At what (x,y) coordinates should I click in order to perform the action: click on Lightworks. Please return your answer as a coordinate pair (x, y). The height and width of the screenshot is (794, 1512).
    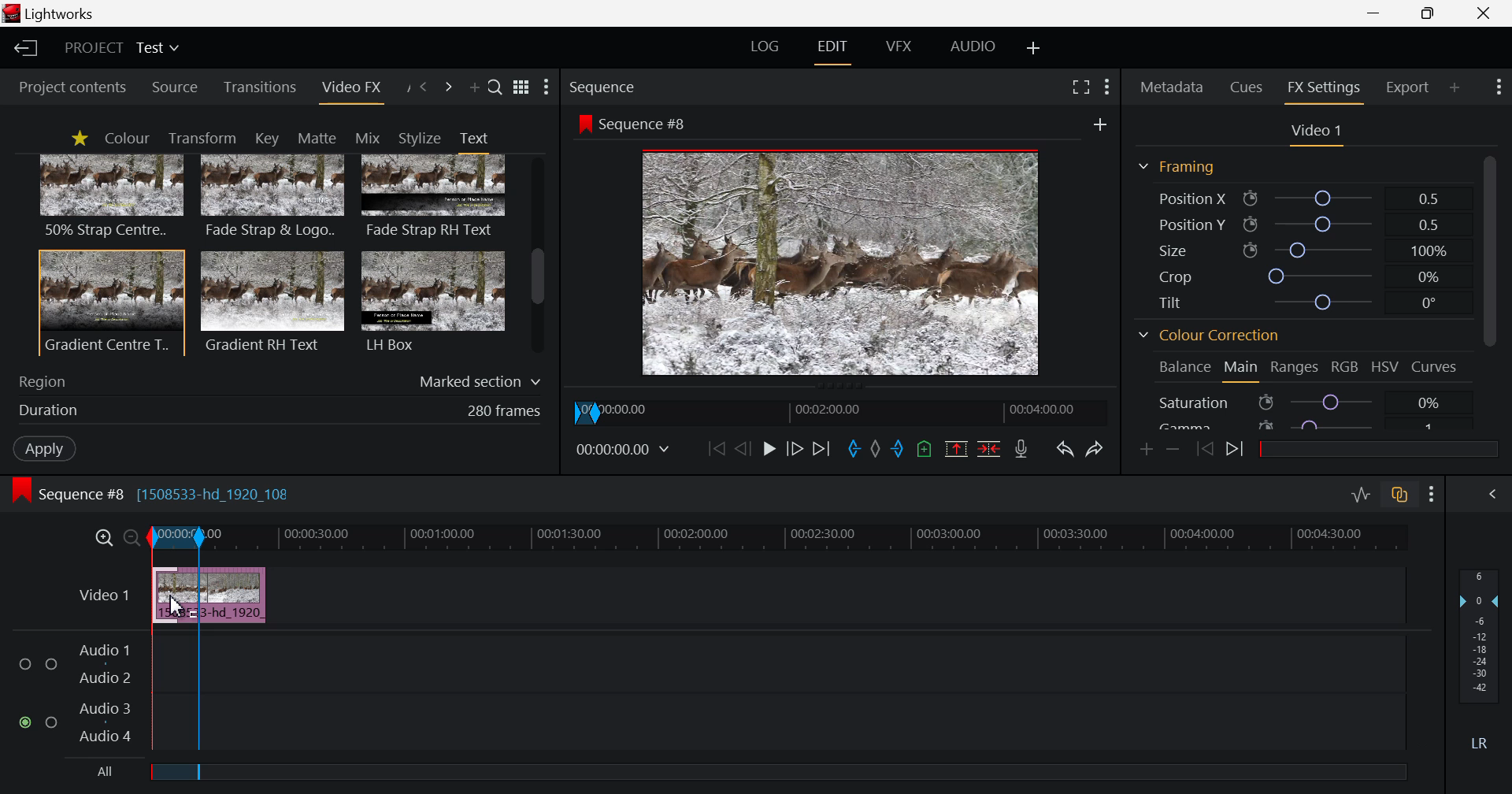
    Looking at the image, I should click on (57, 14).